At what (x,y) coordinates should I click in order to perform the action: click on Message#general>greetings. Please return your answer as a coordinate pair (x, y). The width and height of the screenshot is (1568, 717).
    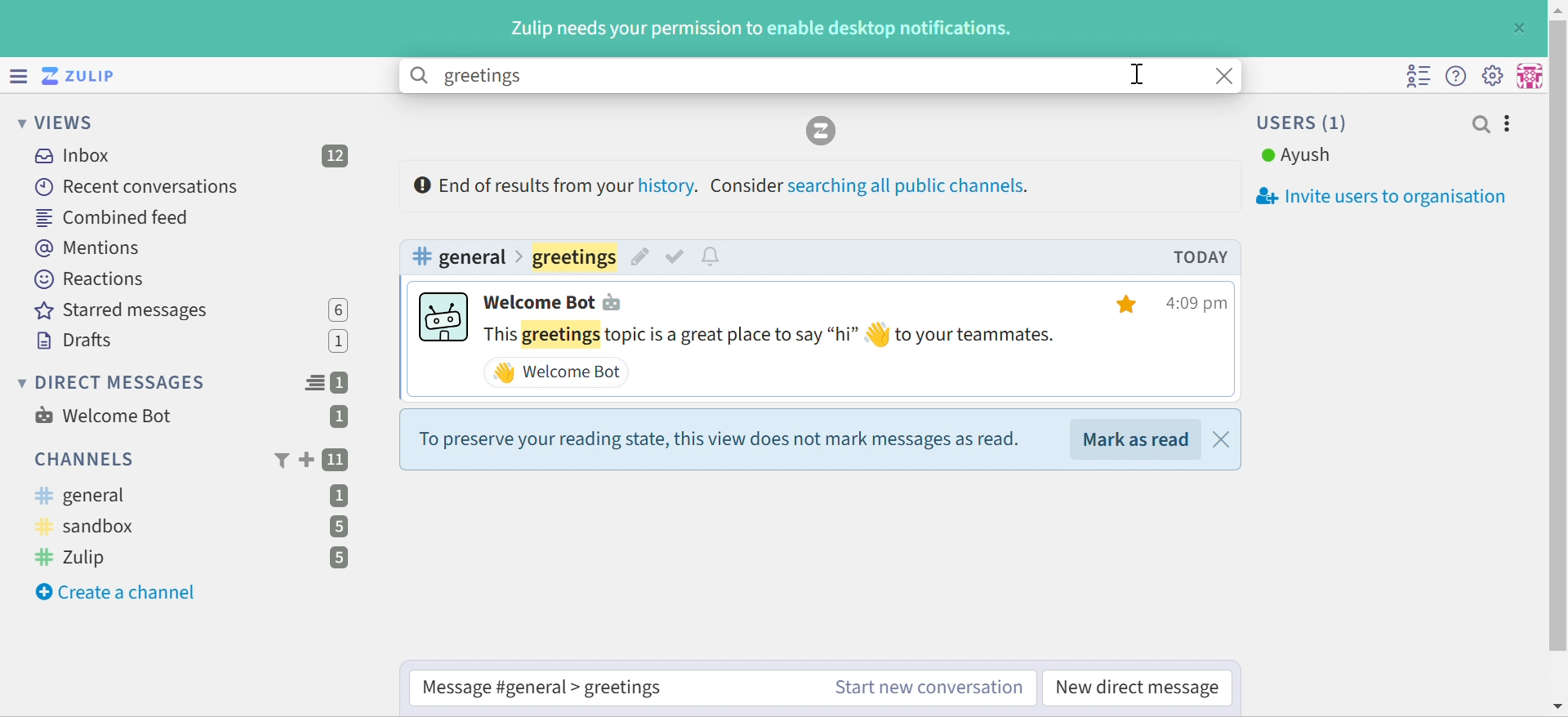
    Looking at the image, I should click on (542, 688).